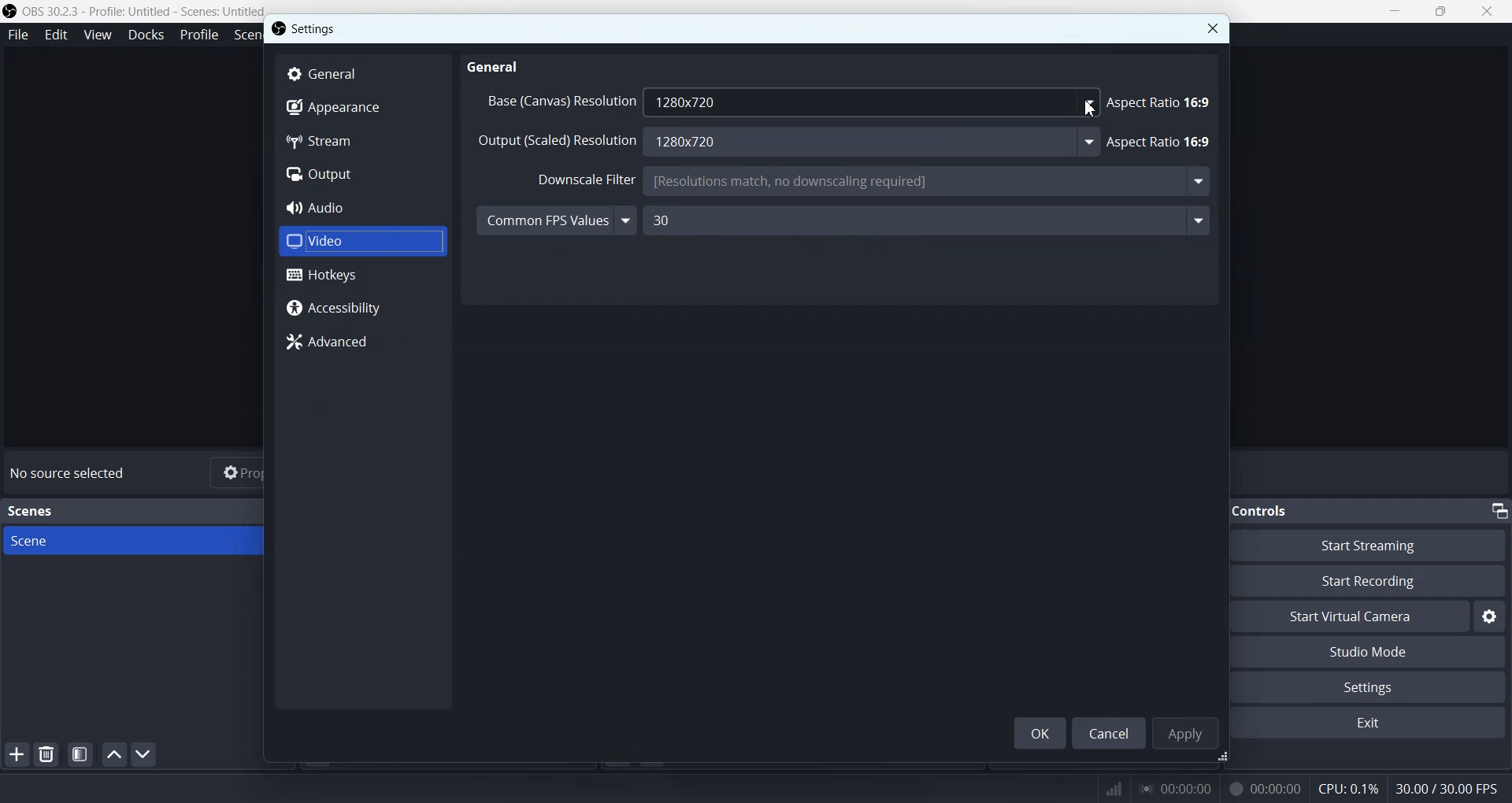  Describe the element at coordinates (1374, 724) in the screenshot. I see `Exit` at that location.